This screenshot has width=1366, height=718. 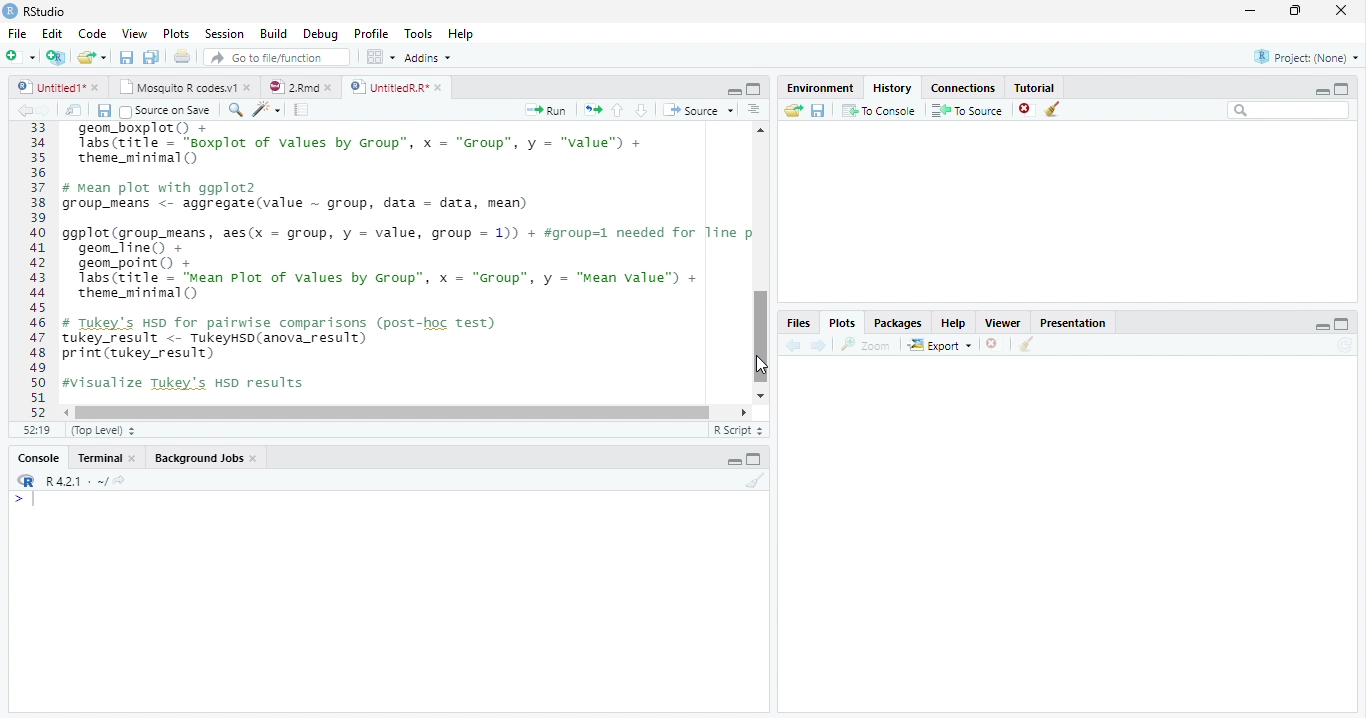 I want to click on 1, so click(x=37, y=268).